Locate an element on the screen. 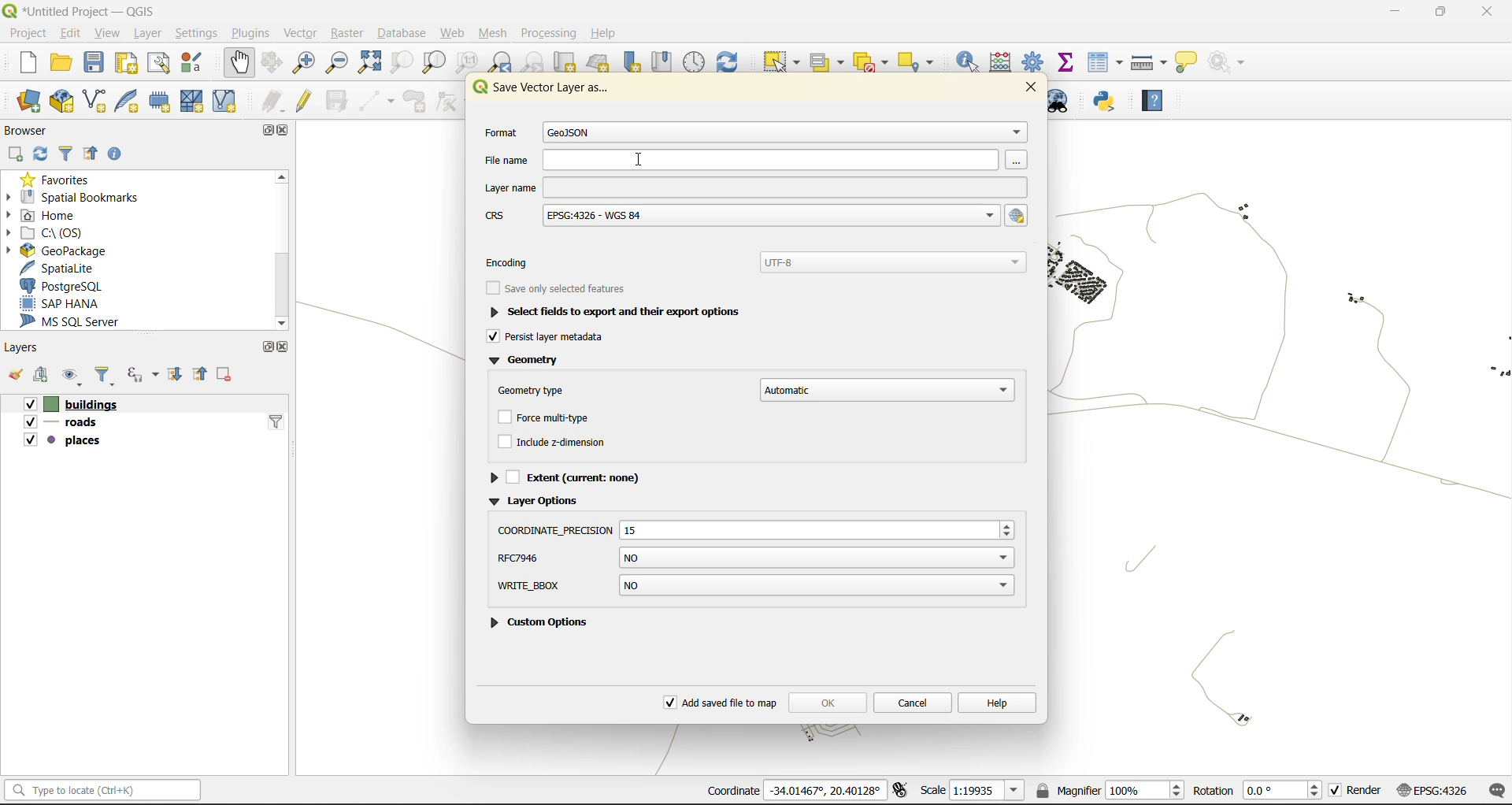 This screenshot has height=805, width=1512. show layout is located at coordinates (160, 63).